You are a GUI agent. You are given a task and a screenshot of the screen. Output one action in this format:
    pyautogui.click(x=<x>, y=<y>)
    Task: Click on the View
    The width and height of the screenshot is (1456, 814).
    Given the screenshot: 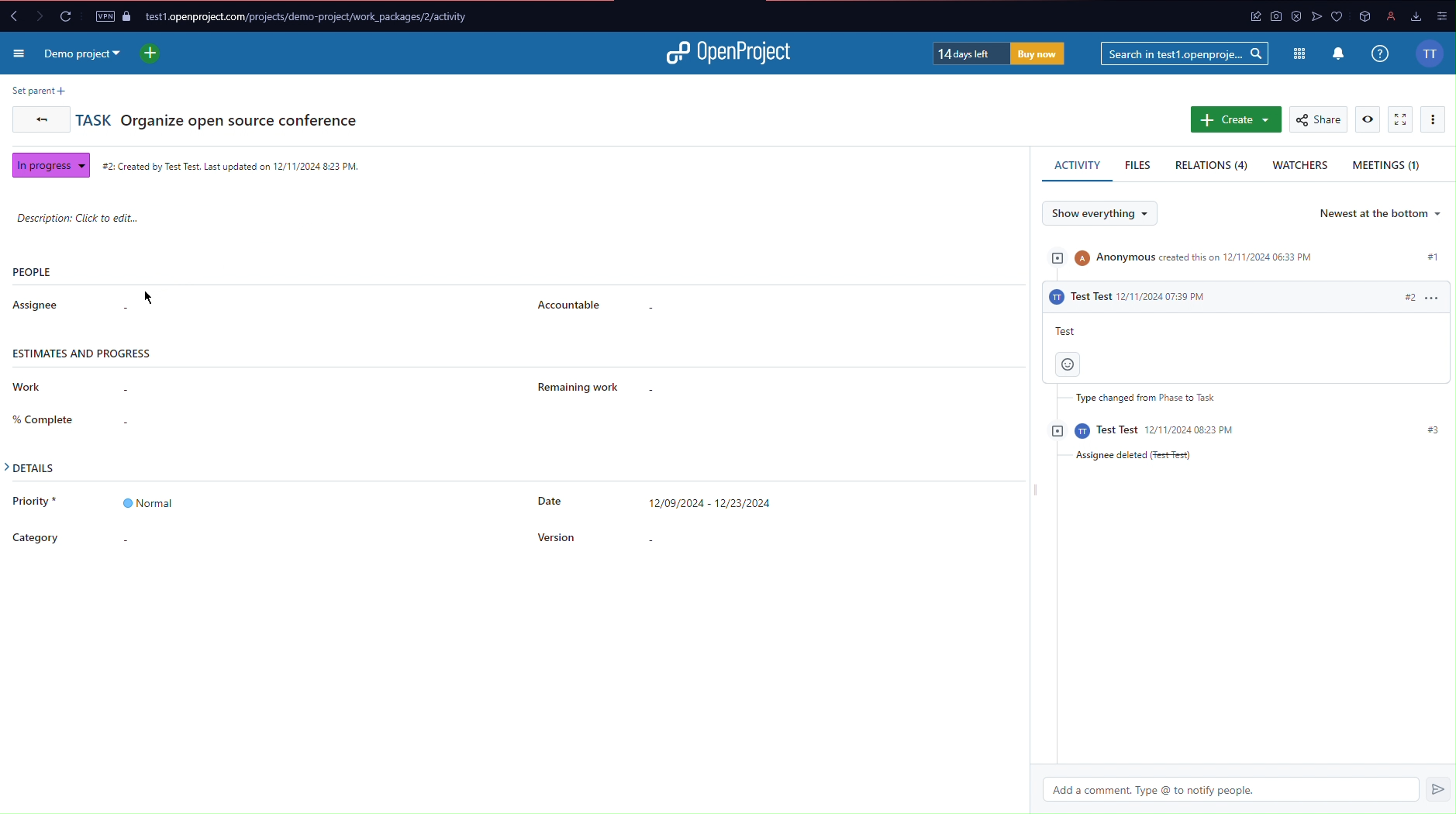 What is the action you would take?
    pyautogui.click(x=1366, y=119)
    